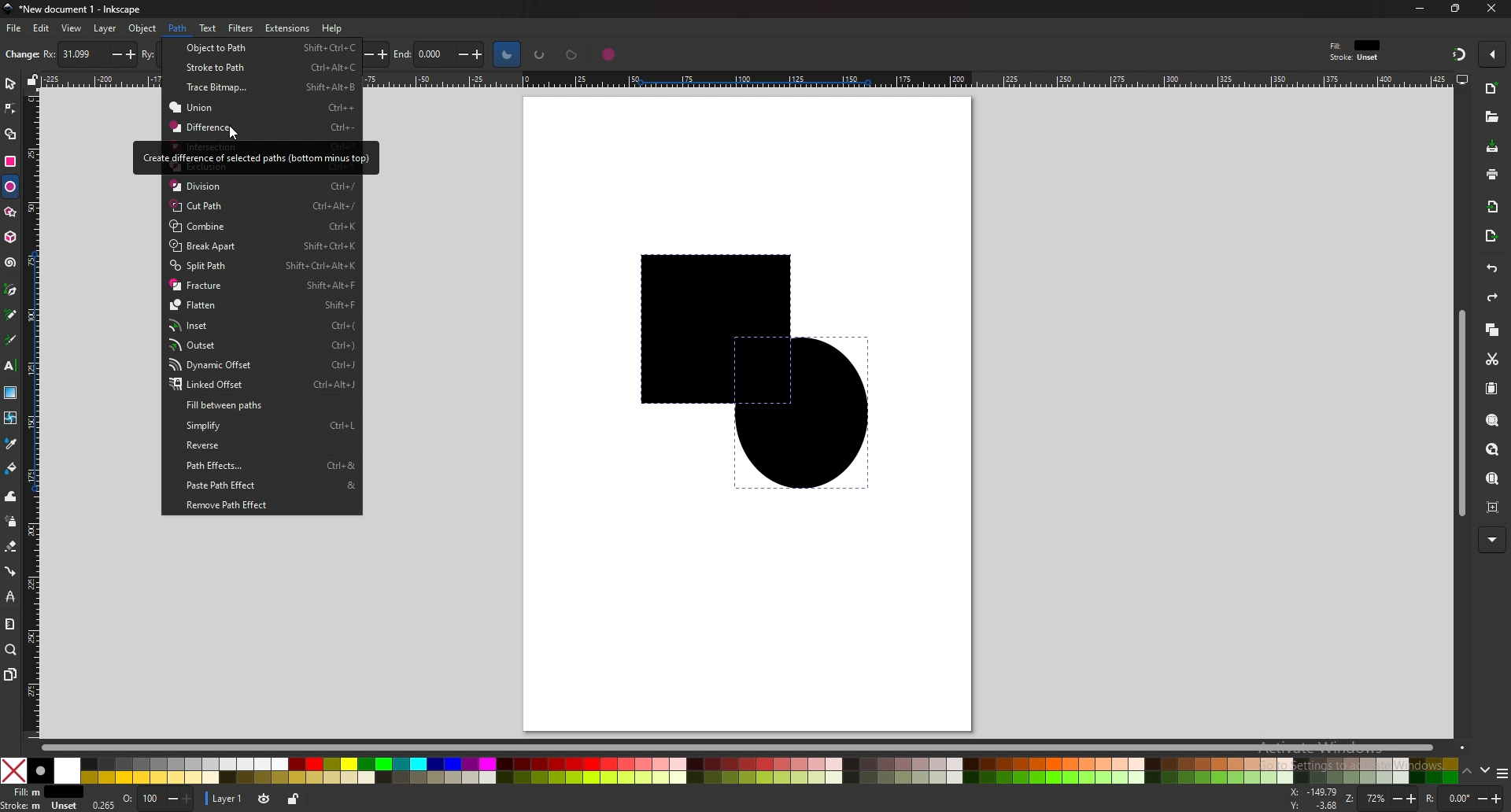 The width and height of the screenshot is (1511, 812). Describe the element at coordinates (258, 227) in the screenshot. I see `Combine` at that location.